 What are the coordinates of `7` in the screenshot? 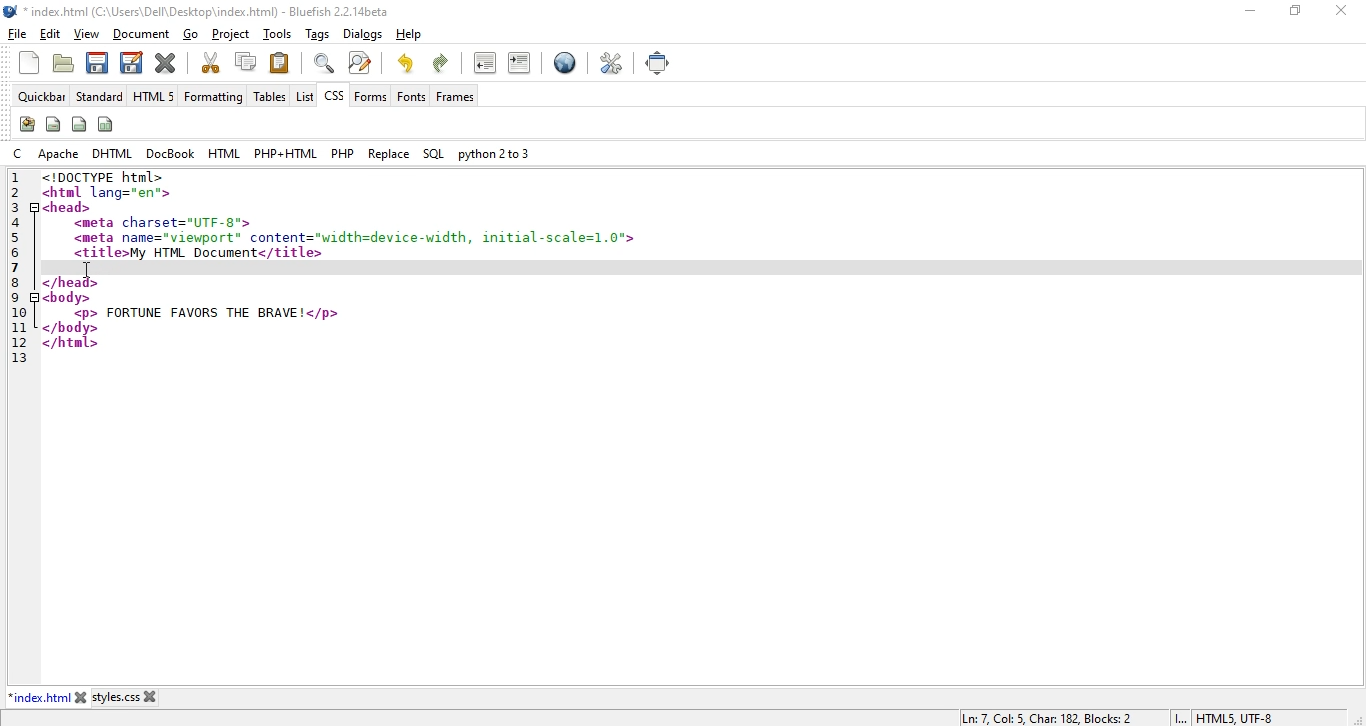 It's located at (16, 268).